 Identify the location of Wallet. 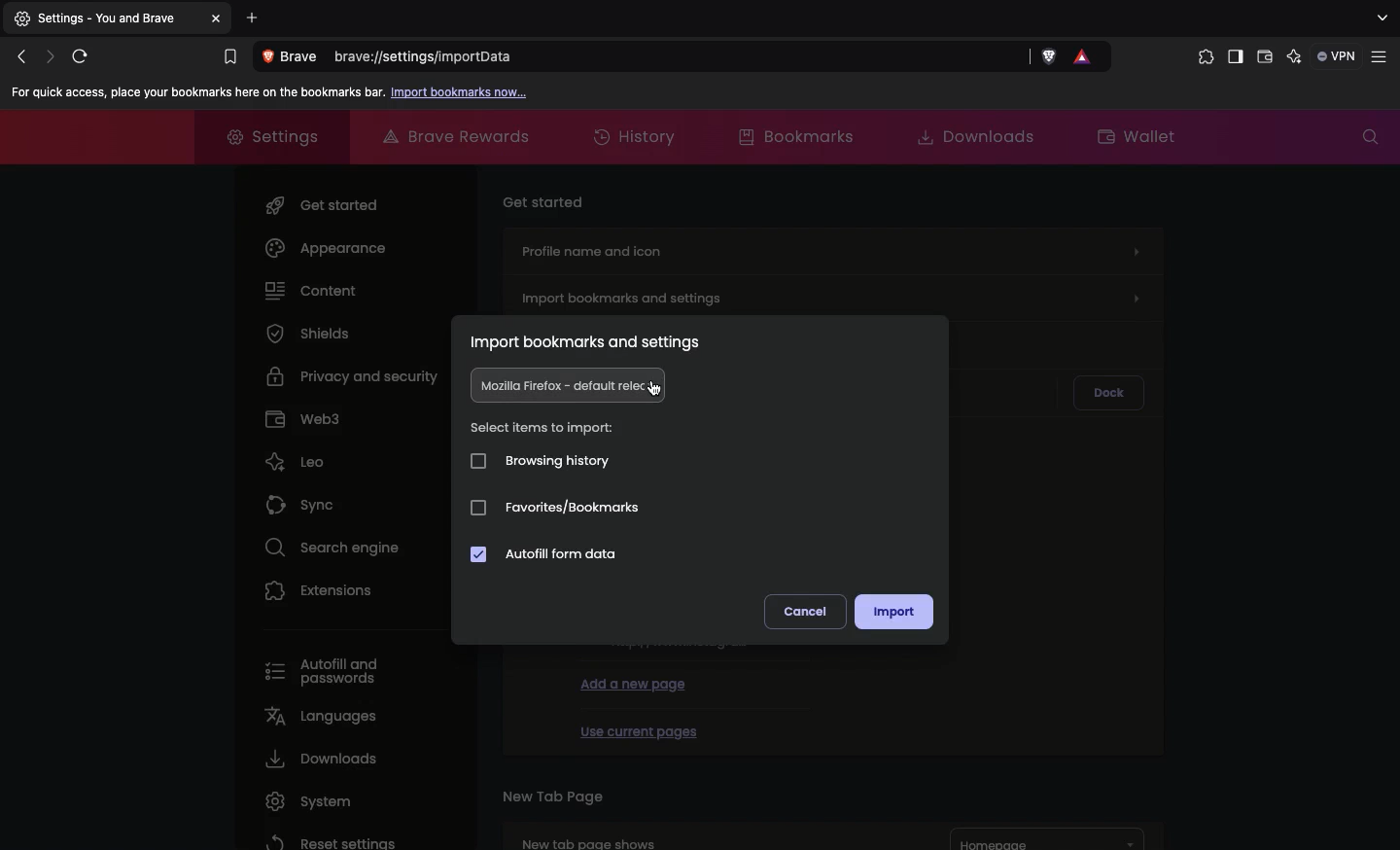
(1138, 134).